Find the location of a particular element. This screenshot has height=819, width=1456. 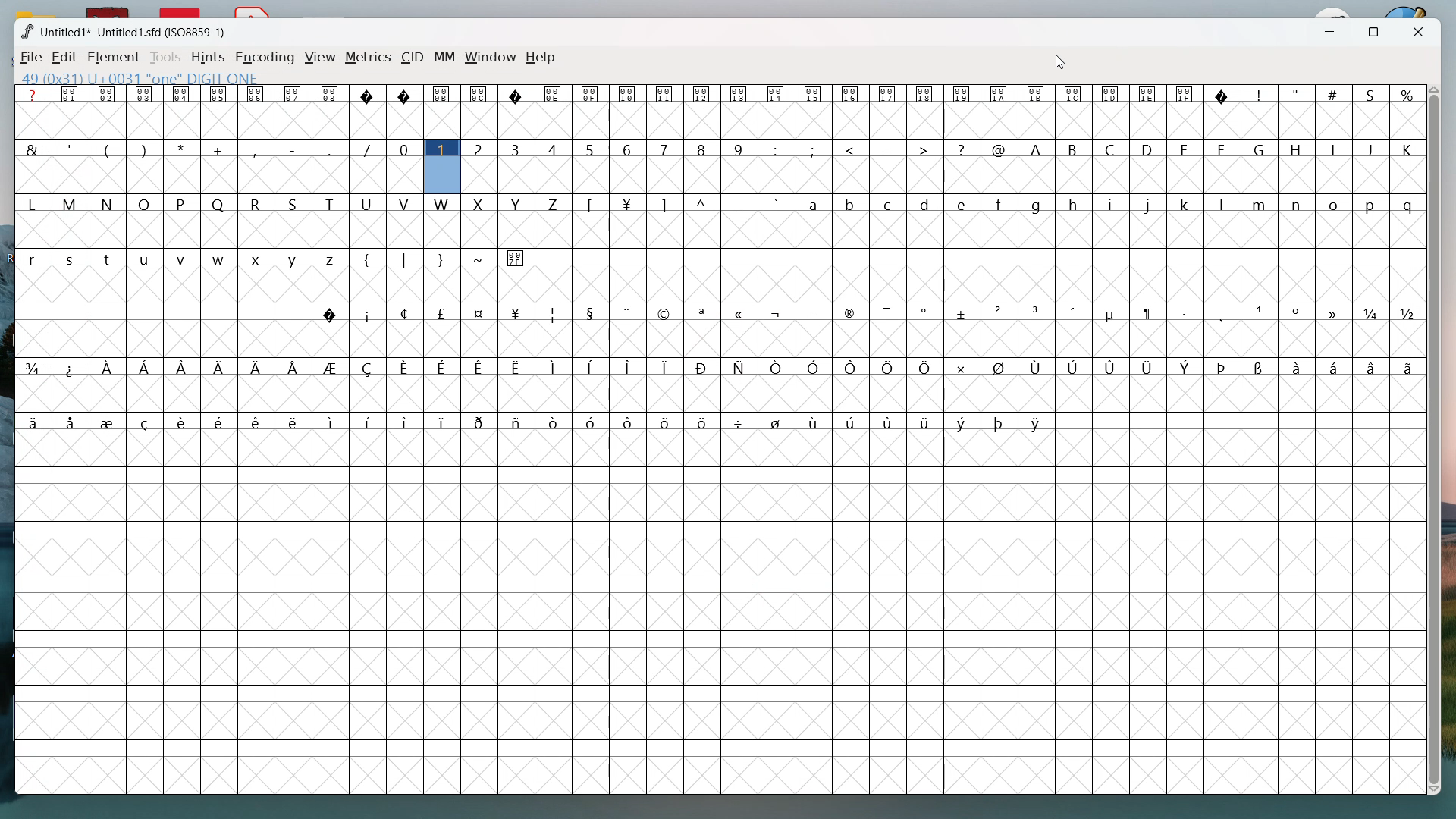

symbol is located at coordinates (518, 312).